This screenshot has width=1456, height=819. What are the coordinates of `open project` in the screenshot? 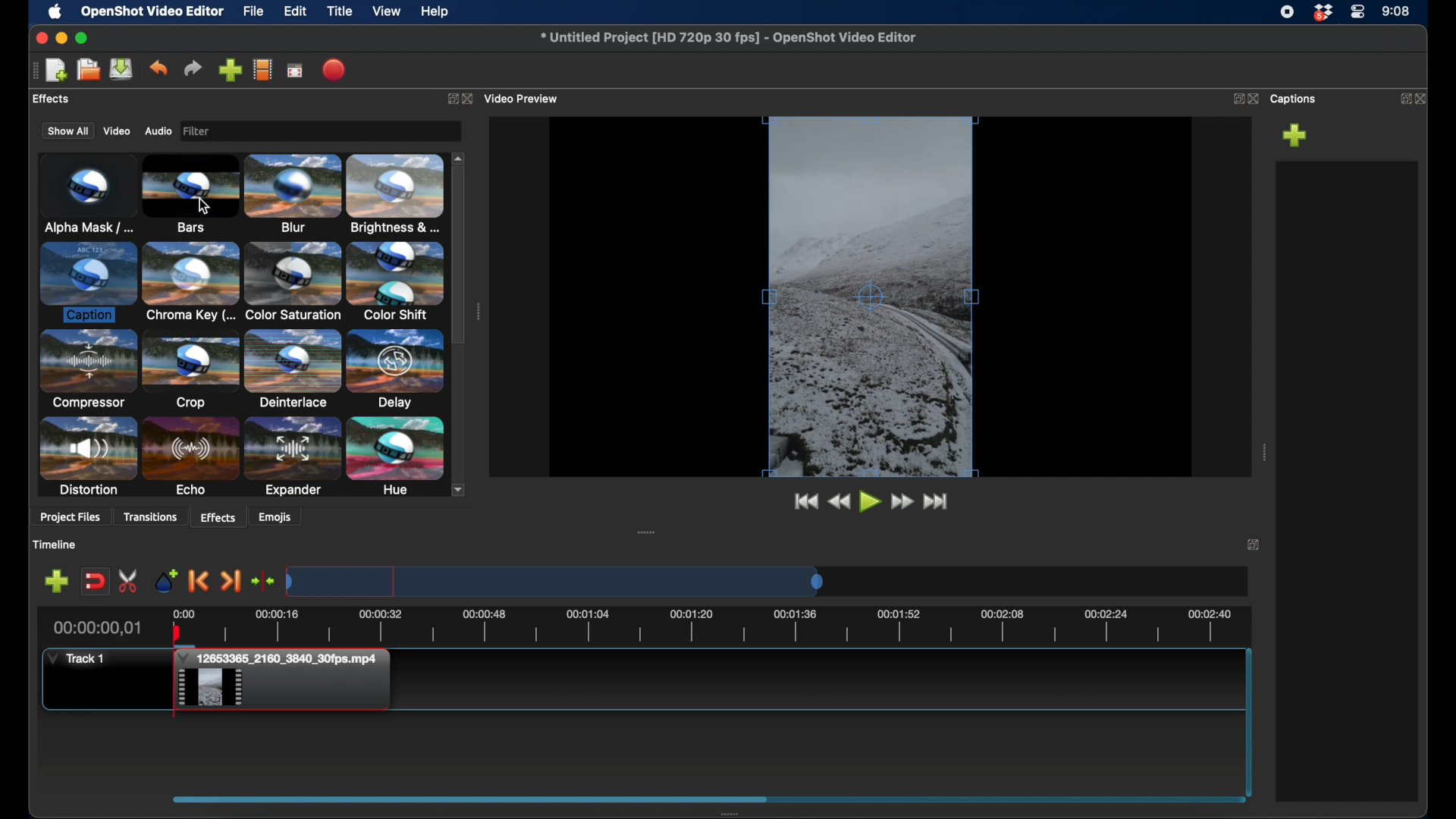 It's located at (86, 70).